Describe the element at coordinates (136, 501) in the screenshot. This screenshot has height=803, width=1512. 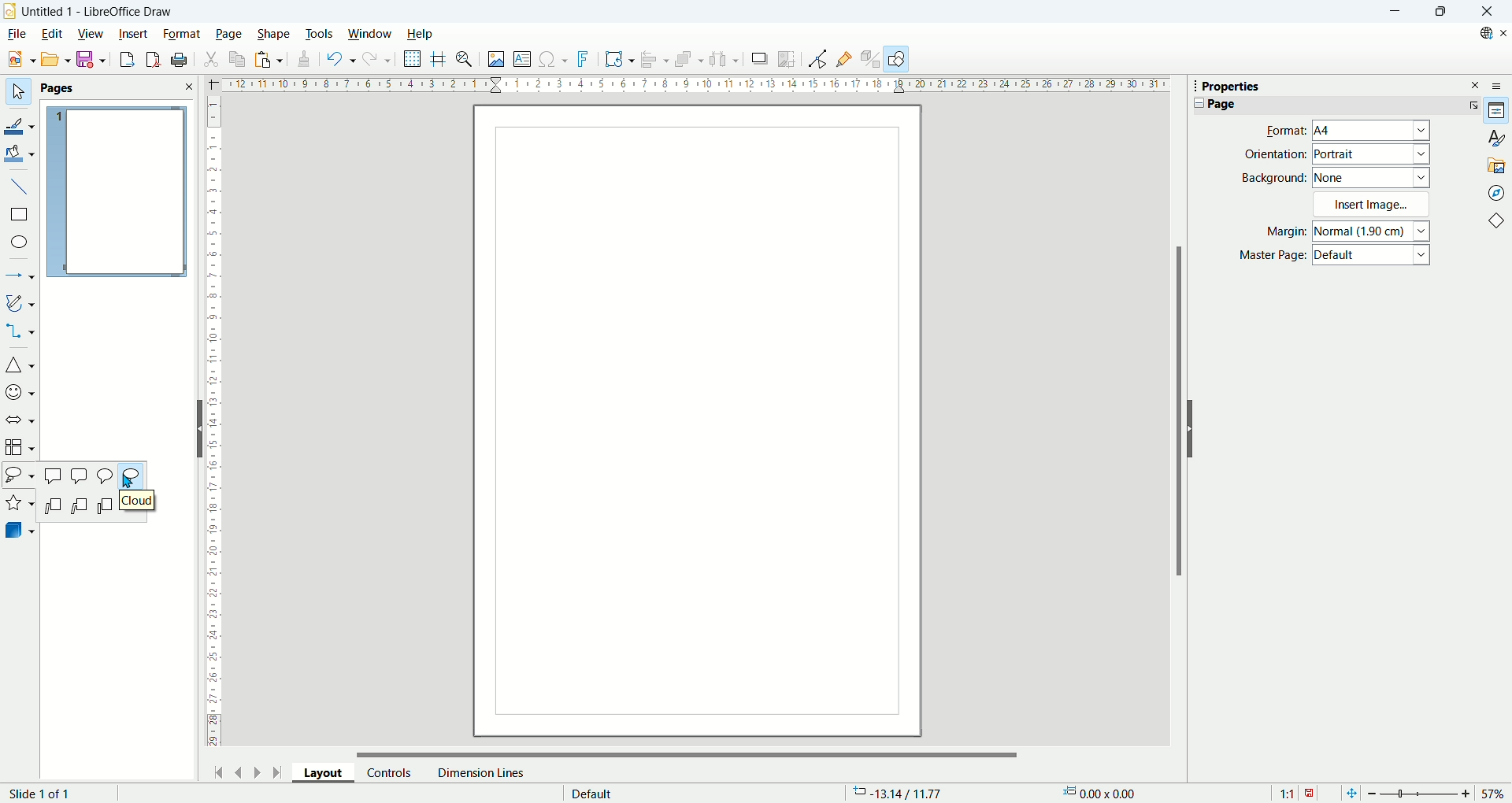
I see `Cloud` at that location.